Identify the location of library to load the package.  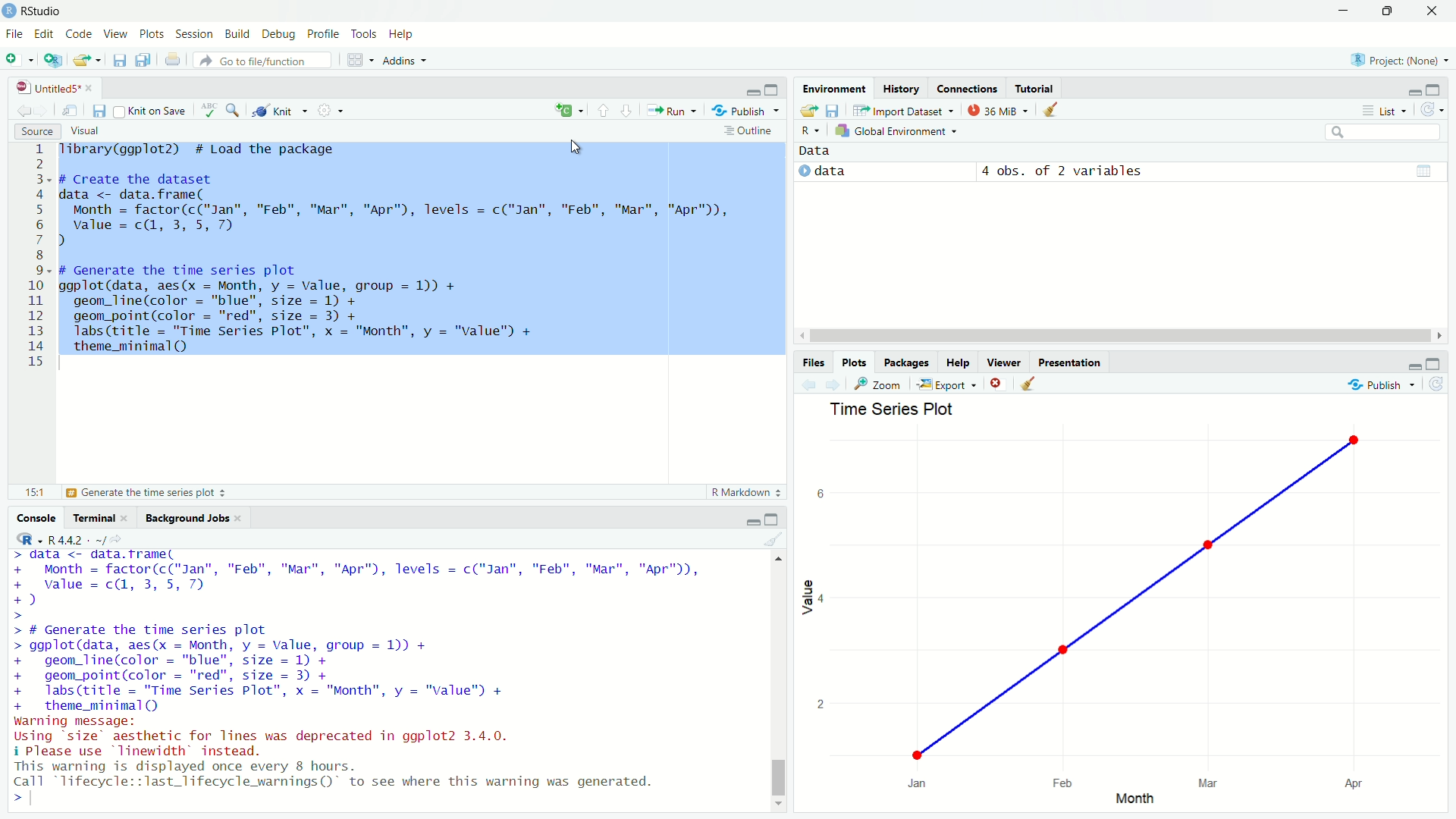
(212, 150).